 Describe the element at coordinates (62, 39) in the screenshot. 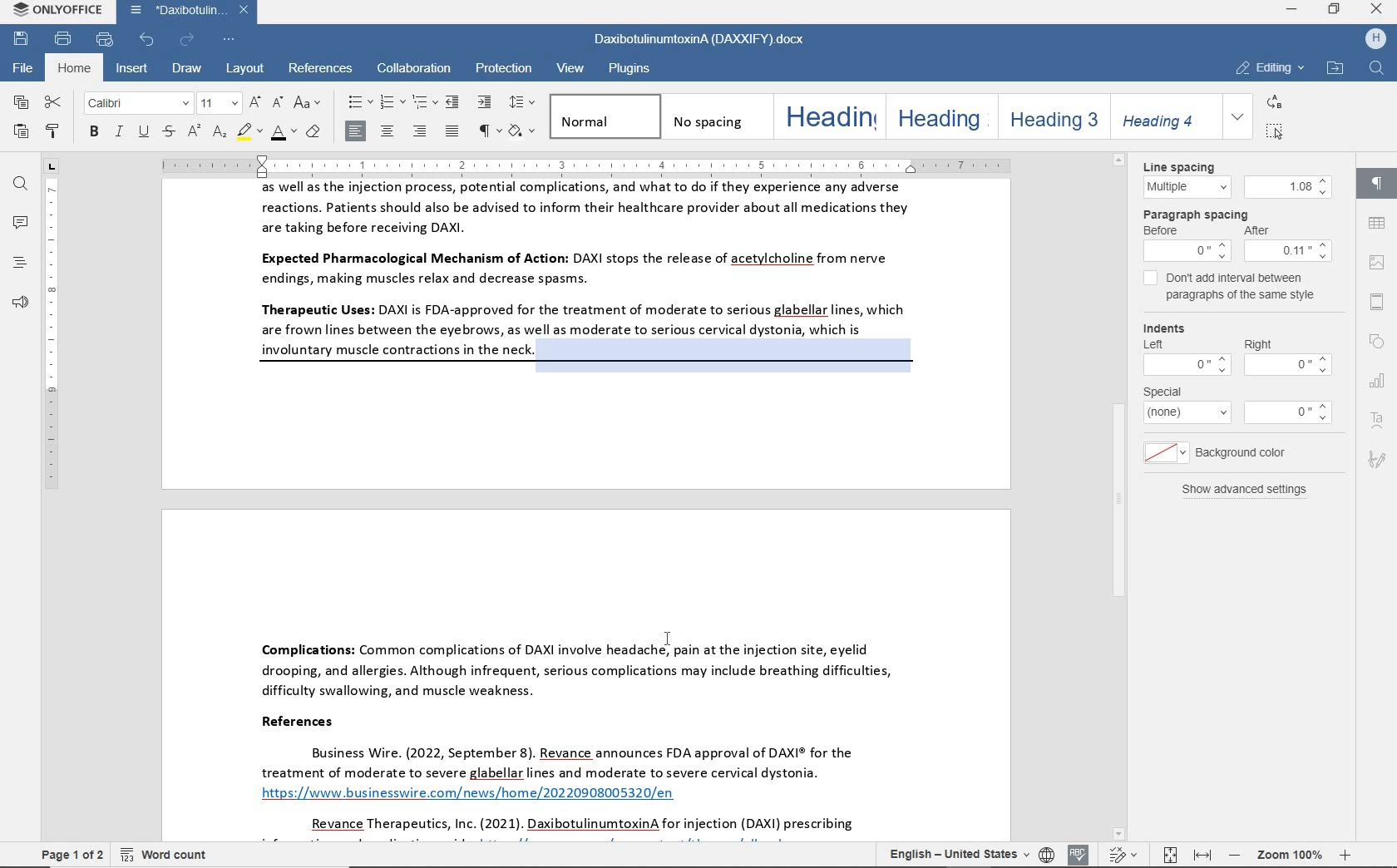

I see `print` at that location.